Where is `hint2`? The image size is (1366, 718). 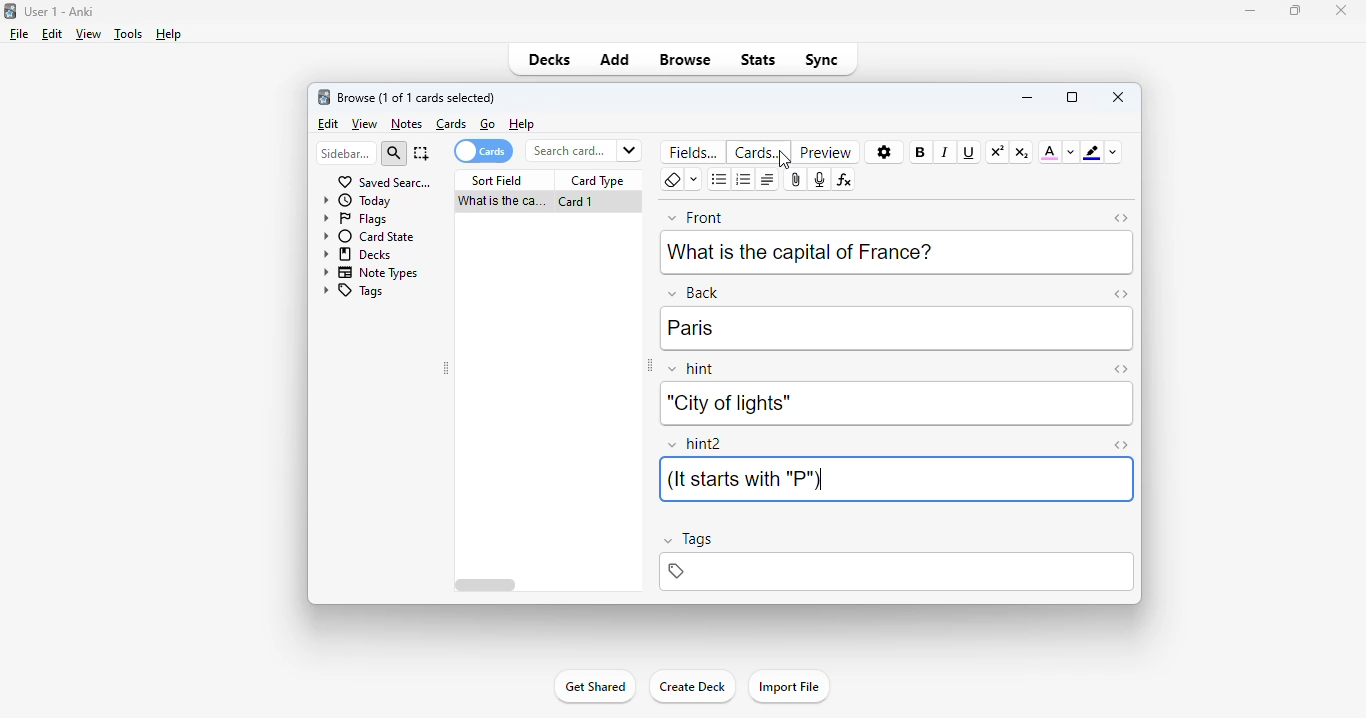 hint2 is located at coordinates (696, 444).